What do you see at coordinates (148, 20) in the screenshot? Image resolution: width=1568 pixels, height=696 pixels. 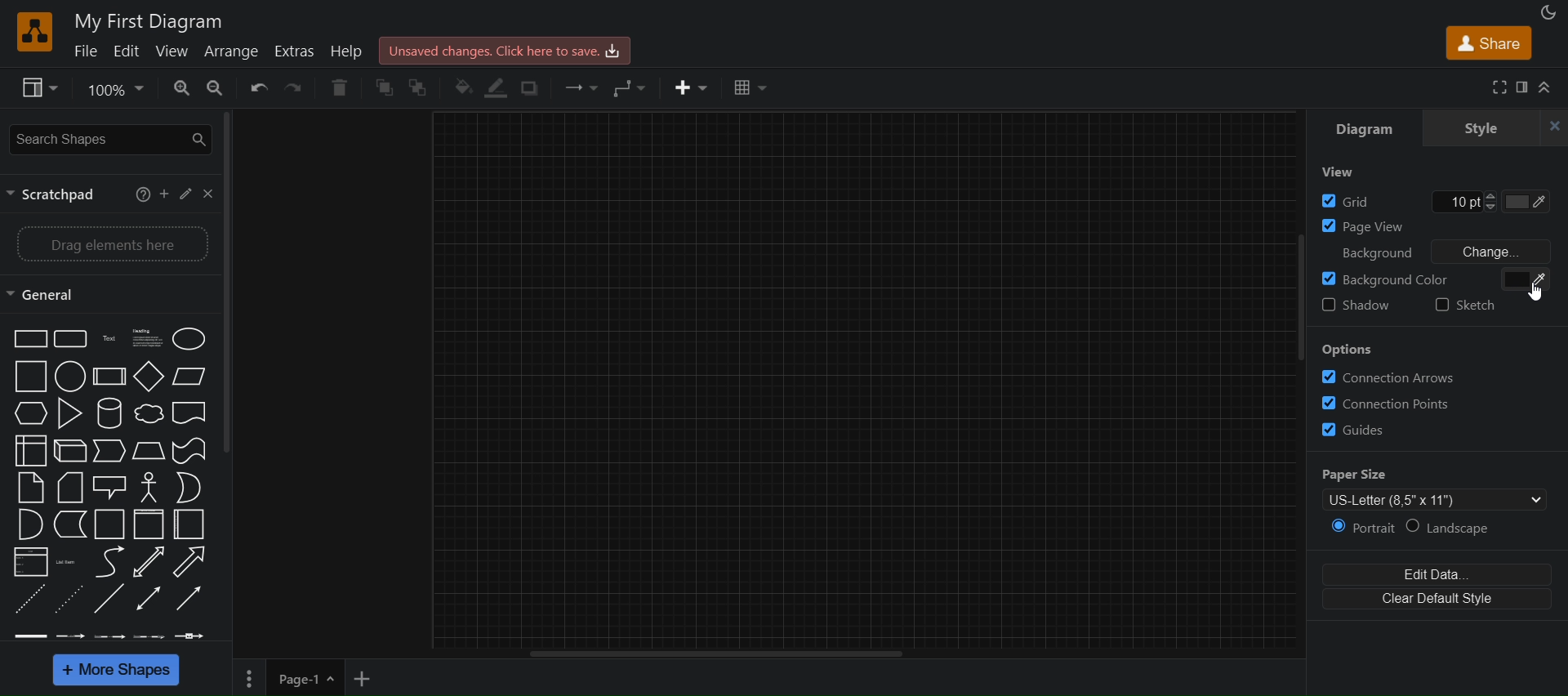 I see `title` at bounding box center [148, 20].